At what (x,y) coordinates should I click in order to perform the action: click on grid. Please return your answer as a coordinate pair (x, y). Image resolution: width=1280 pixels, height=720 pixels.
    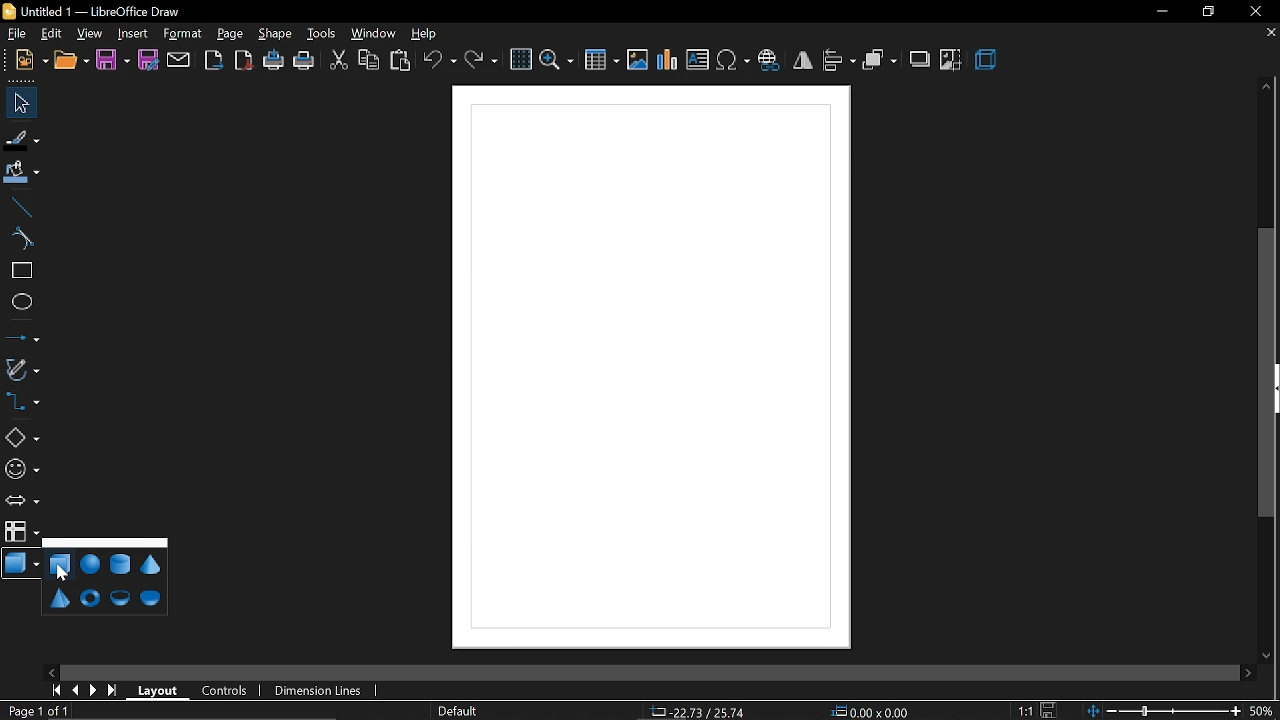
    Looking at the image, I should click on (521, 60).